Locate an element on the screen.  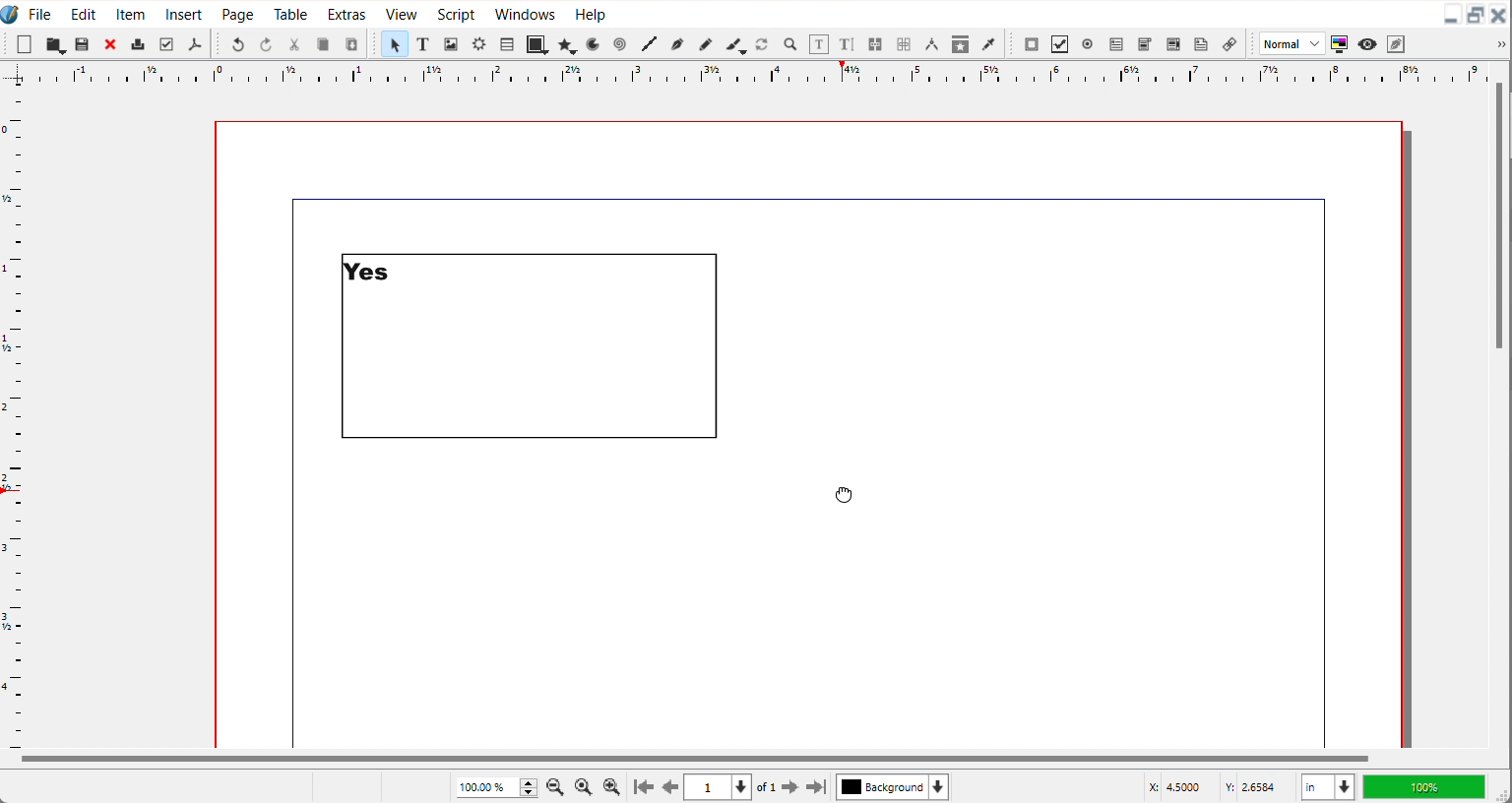
Select current layer is located at coordinates (893, 786).